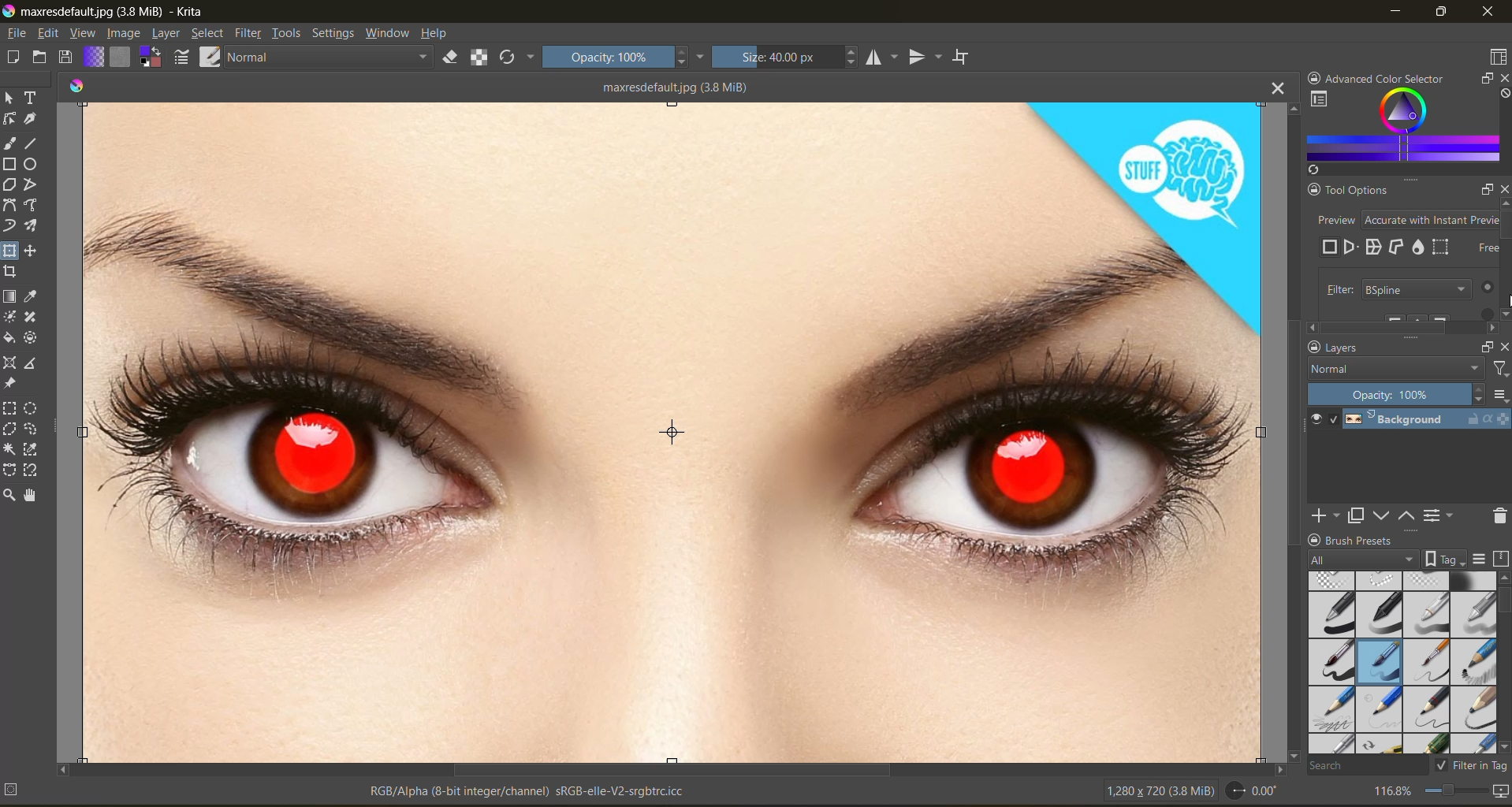  What do you see at coordinates (12, 338) in the screenshot?
I see `tool` at bounding box center [12, 338].